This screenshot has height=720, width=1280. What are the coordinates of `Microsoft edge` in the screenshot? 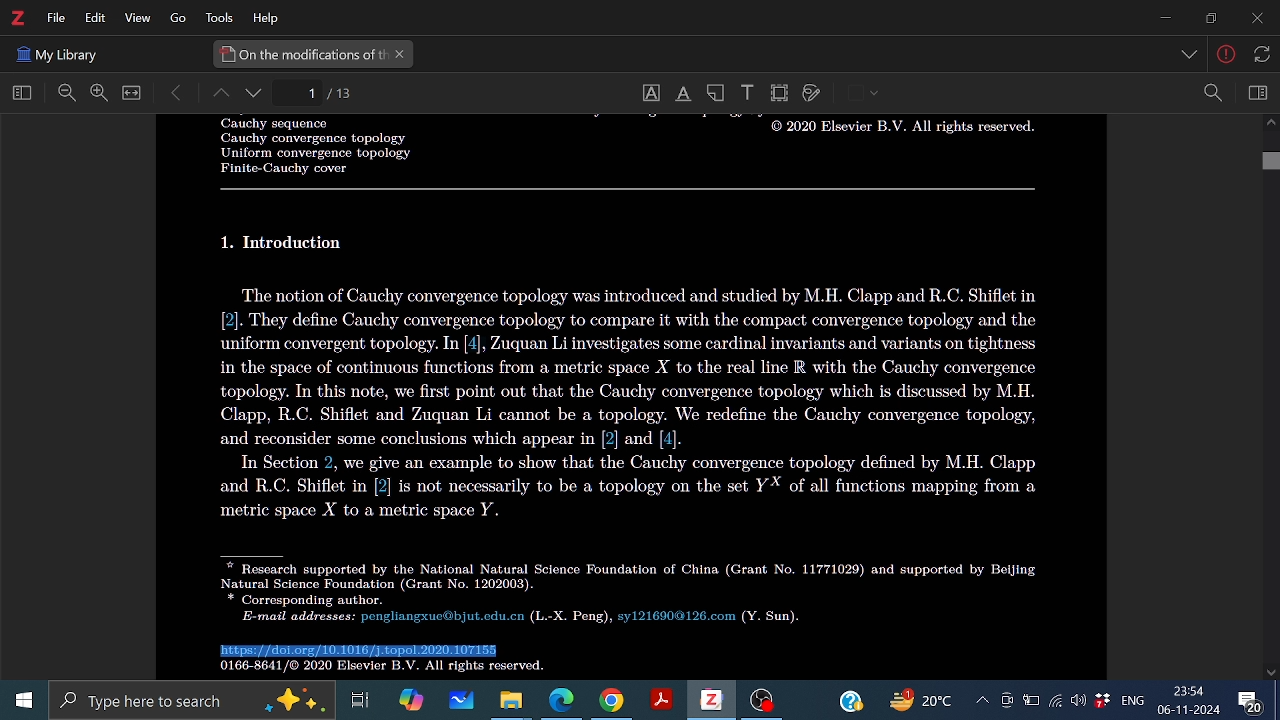 It's located at (562, 701).